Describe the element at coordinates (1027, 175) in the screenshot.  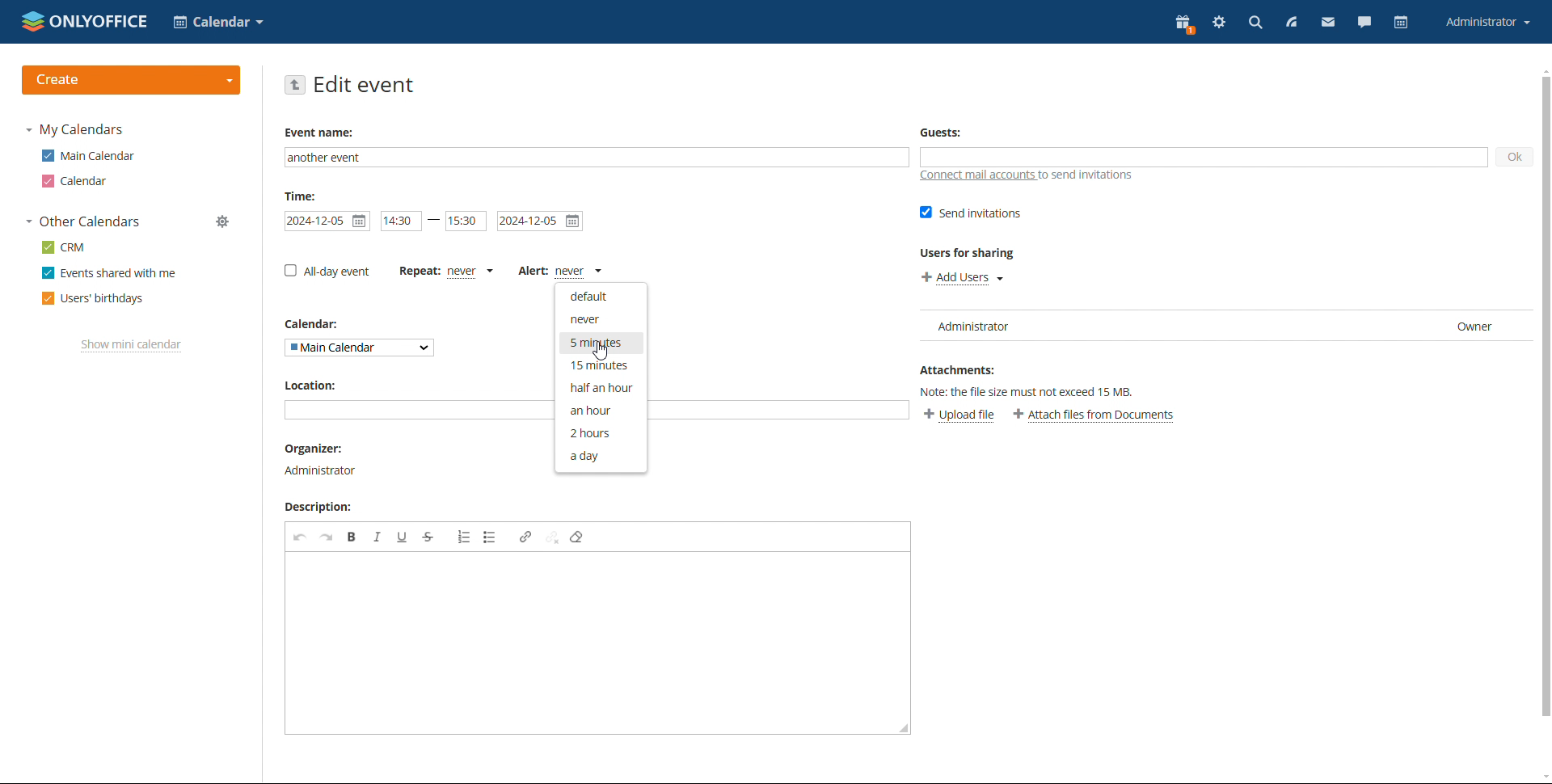
I see `connect mail accounts to send inviattion` at that location.